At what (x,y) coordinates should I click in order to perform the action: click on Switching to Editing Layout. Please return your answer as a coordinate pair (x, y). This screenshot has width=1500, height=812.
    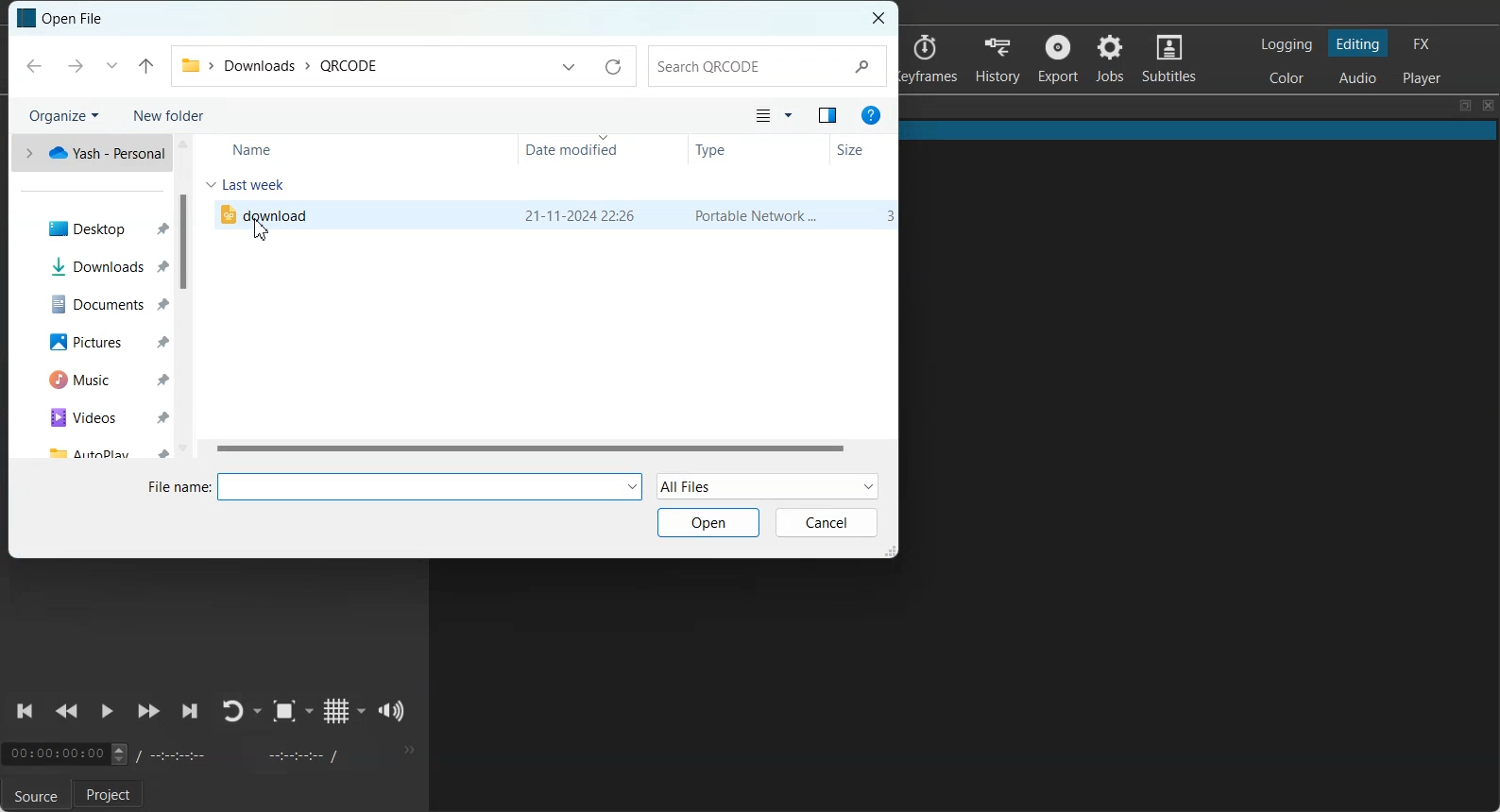
    Looking at the image, I should click on (1356, 43).